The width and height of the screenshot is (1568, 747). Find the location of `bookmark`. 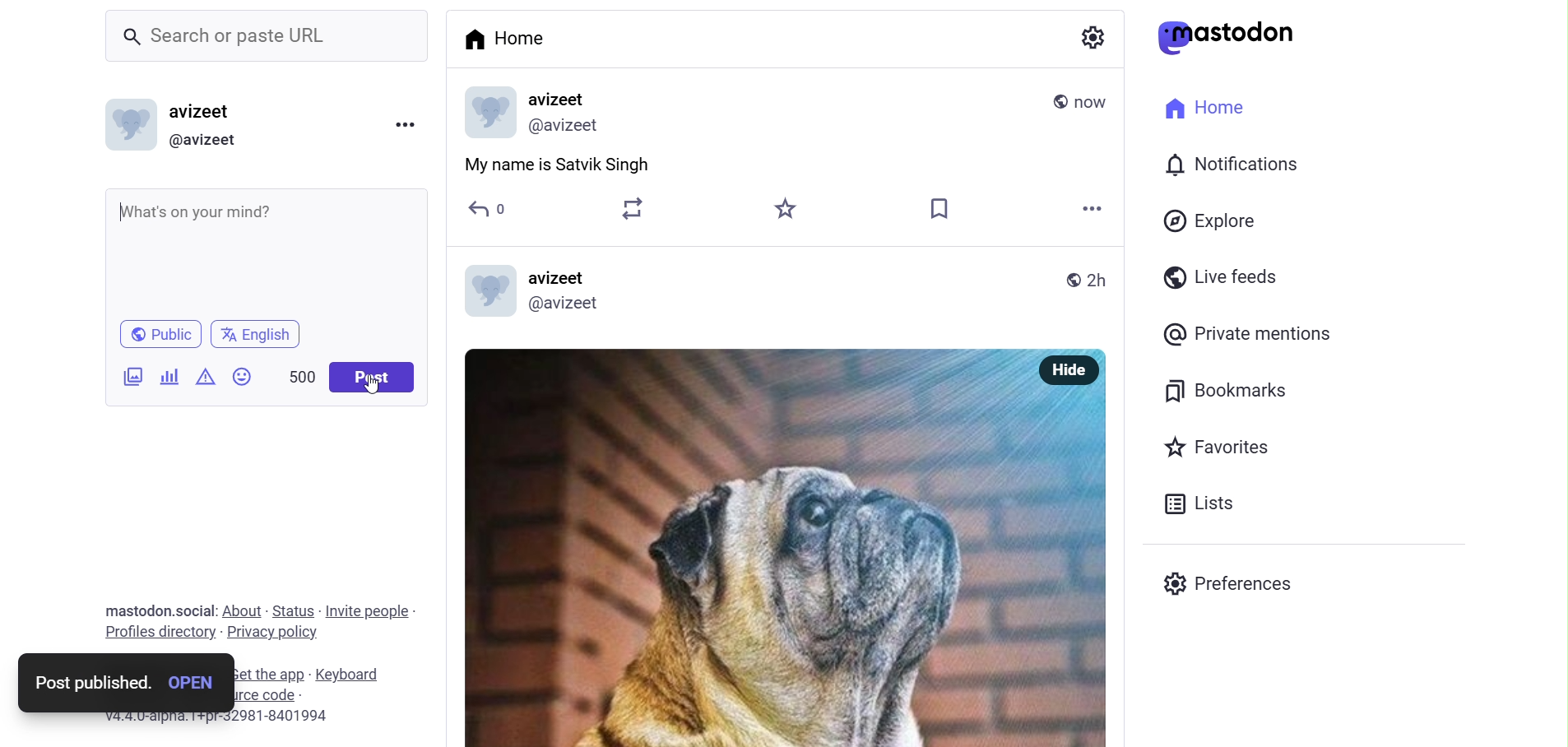

bookmark is located at coordinates (938, 207).